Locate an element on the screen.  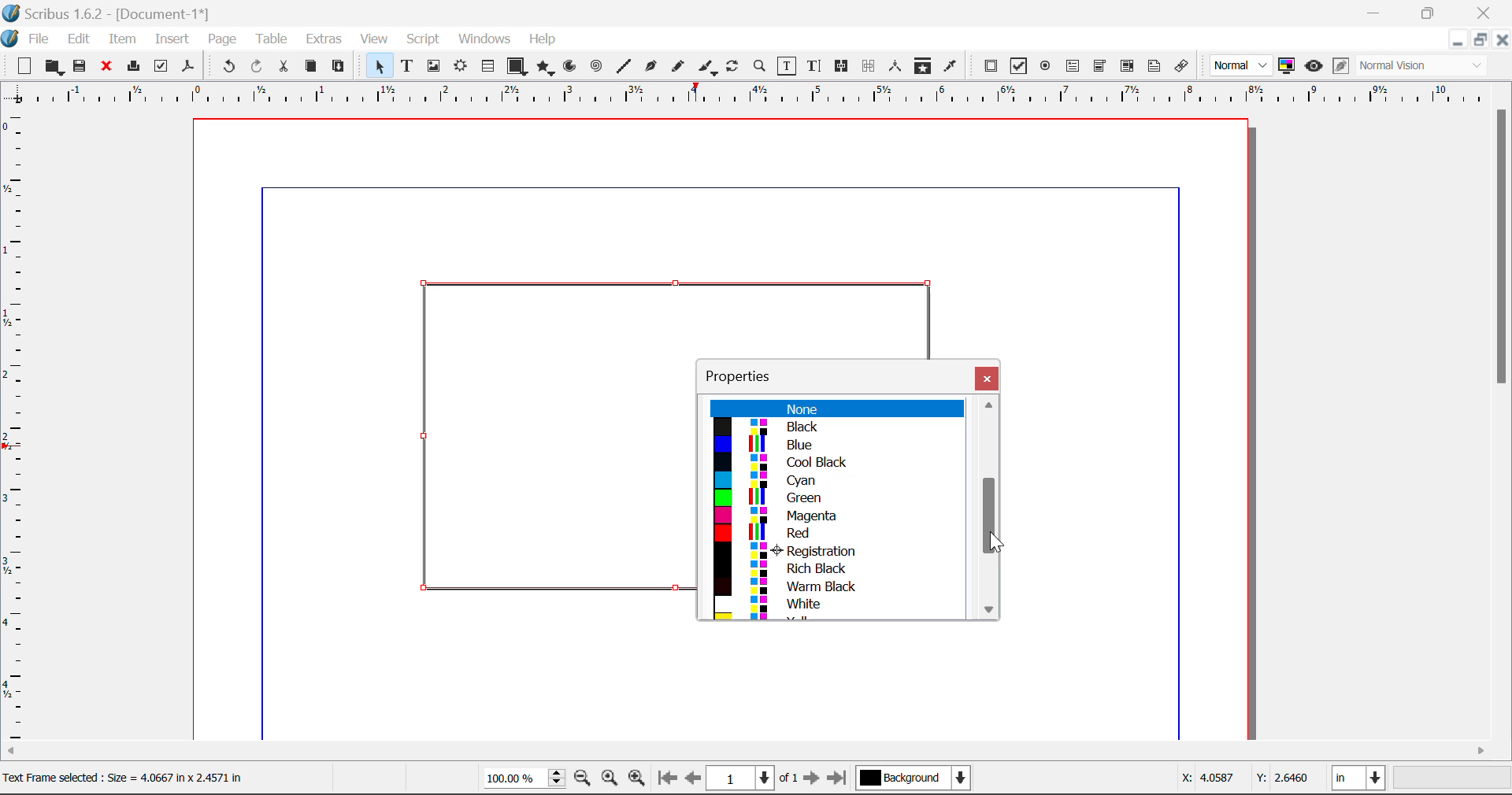
Windows is located at coordinates (484, 40).